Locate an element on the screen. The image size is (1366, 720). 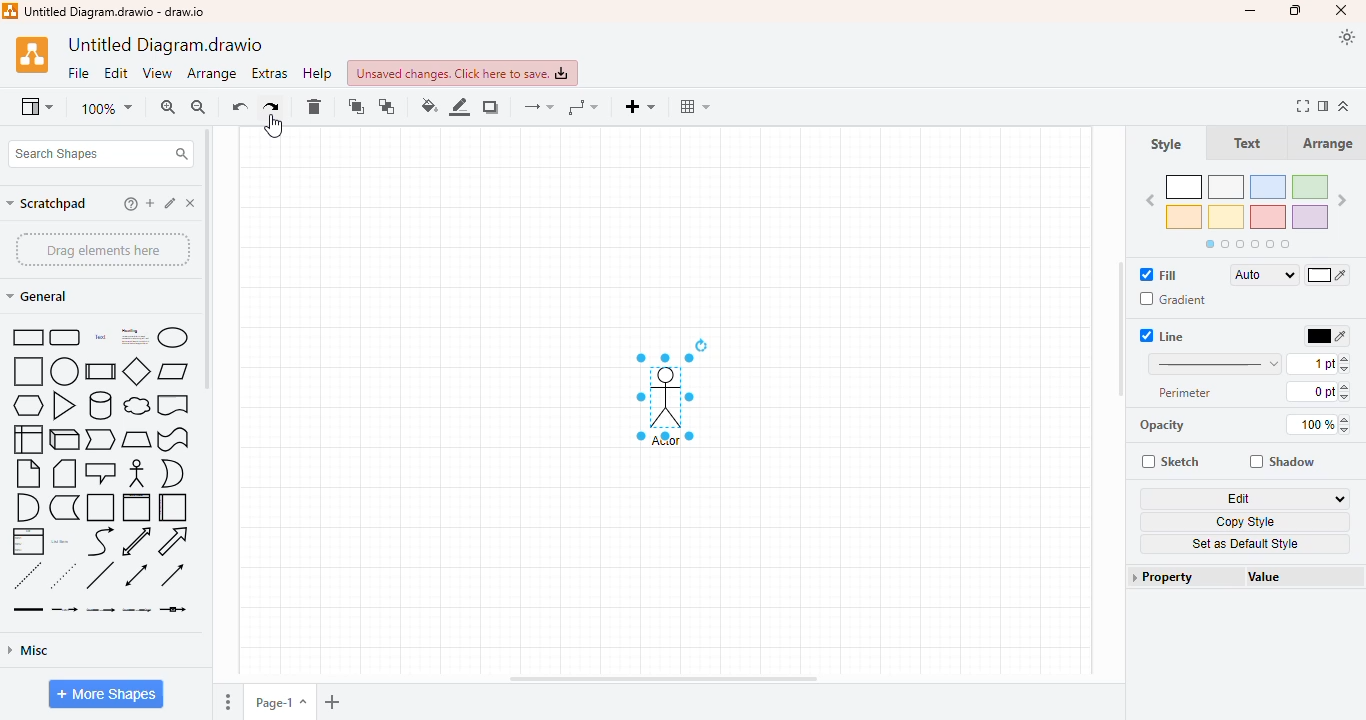
dotted line is located at coordinates (63, 575).